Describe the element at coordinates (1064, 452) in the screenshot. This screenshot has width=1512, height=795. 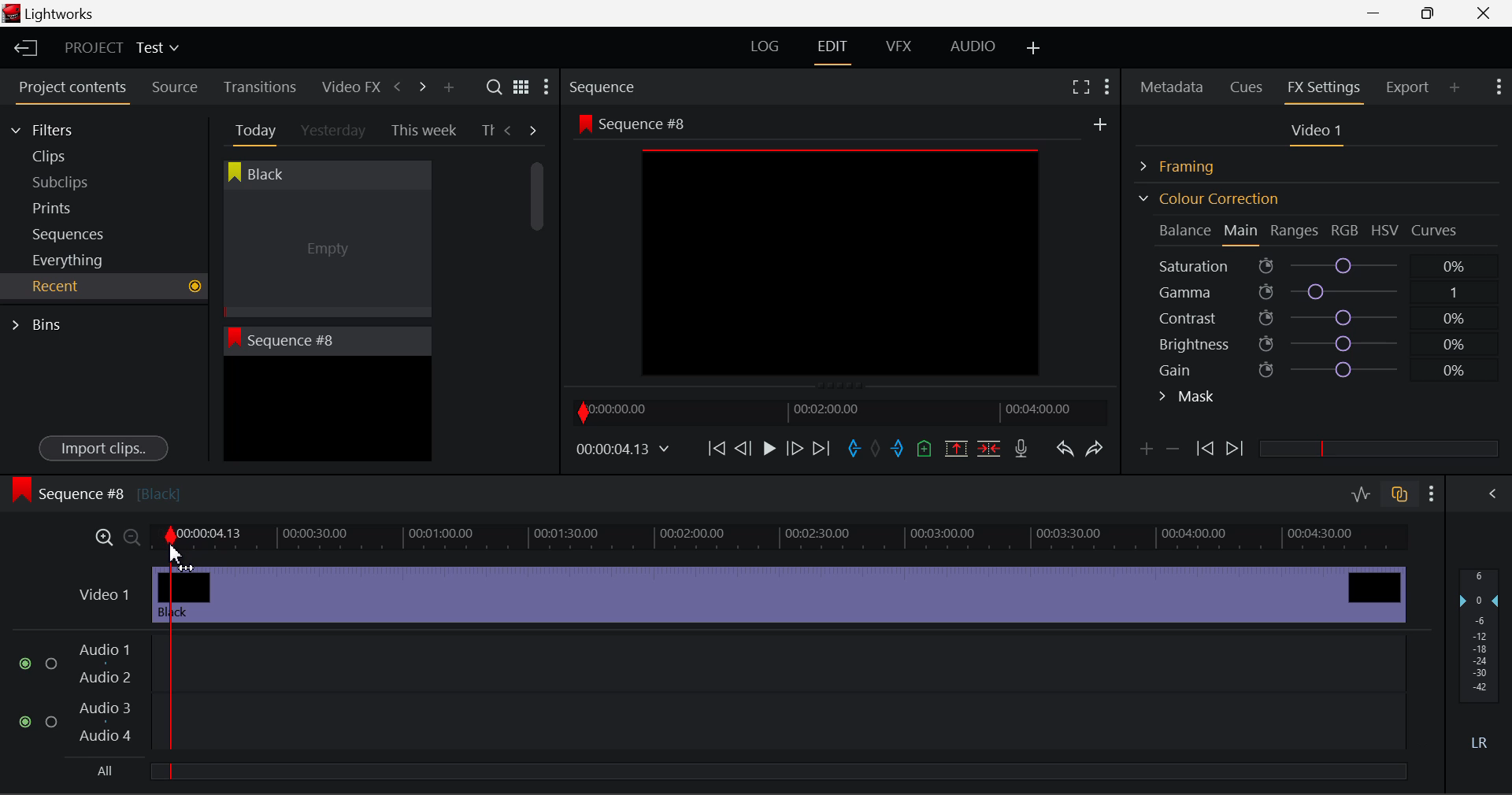
I see `Undo` at that location.